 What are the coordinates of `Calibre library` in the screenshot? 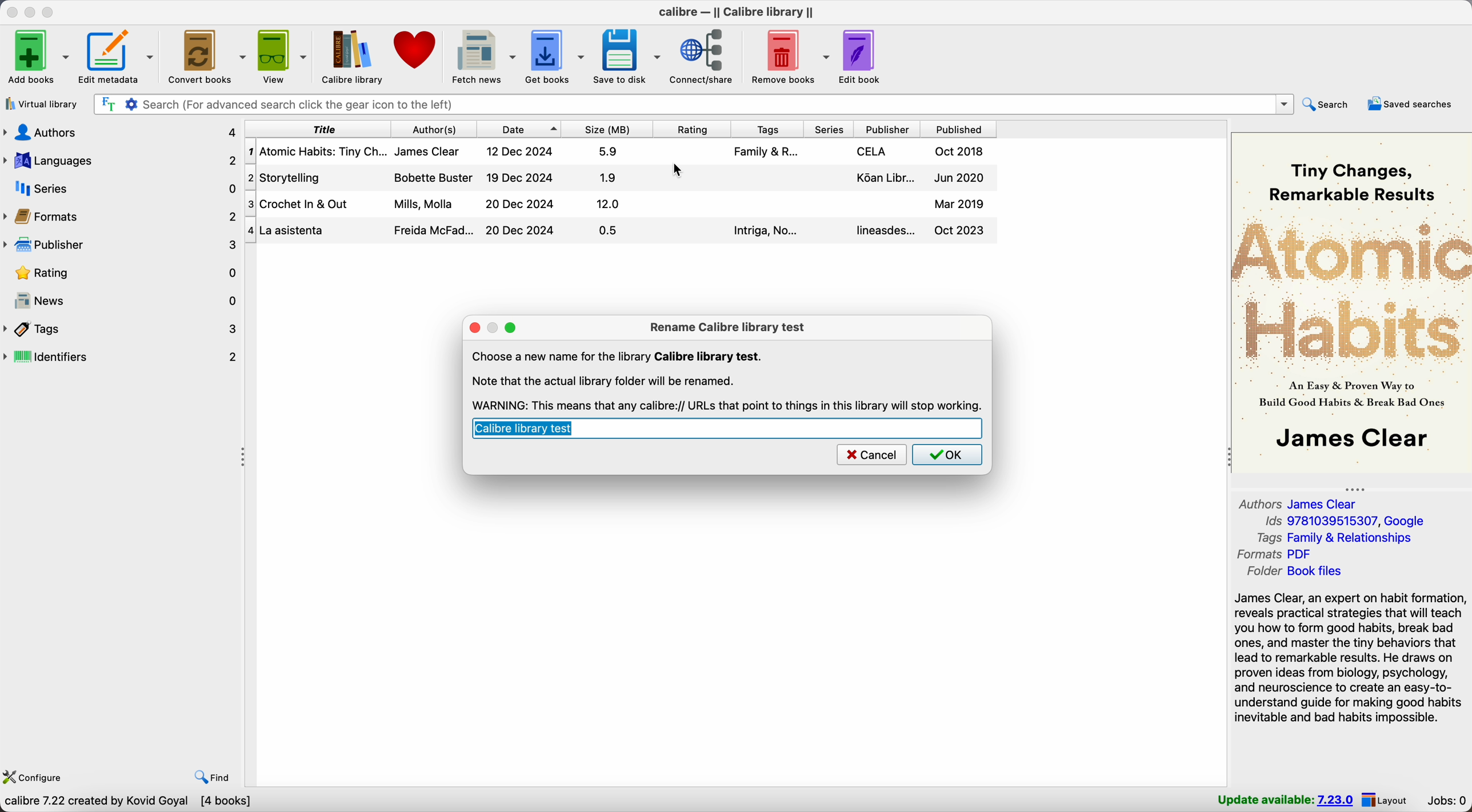 It's located at (353, 57).